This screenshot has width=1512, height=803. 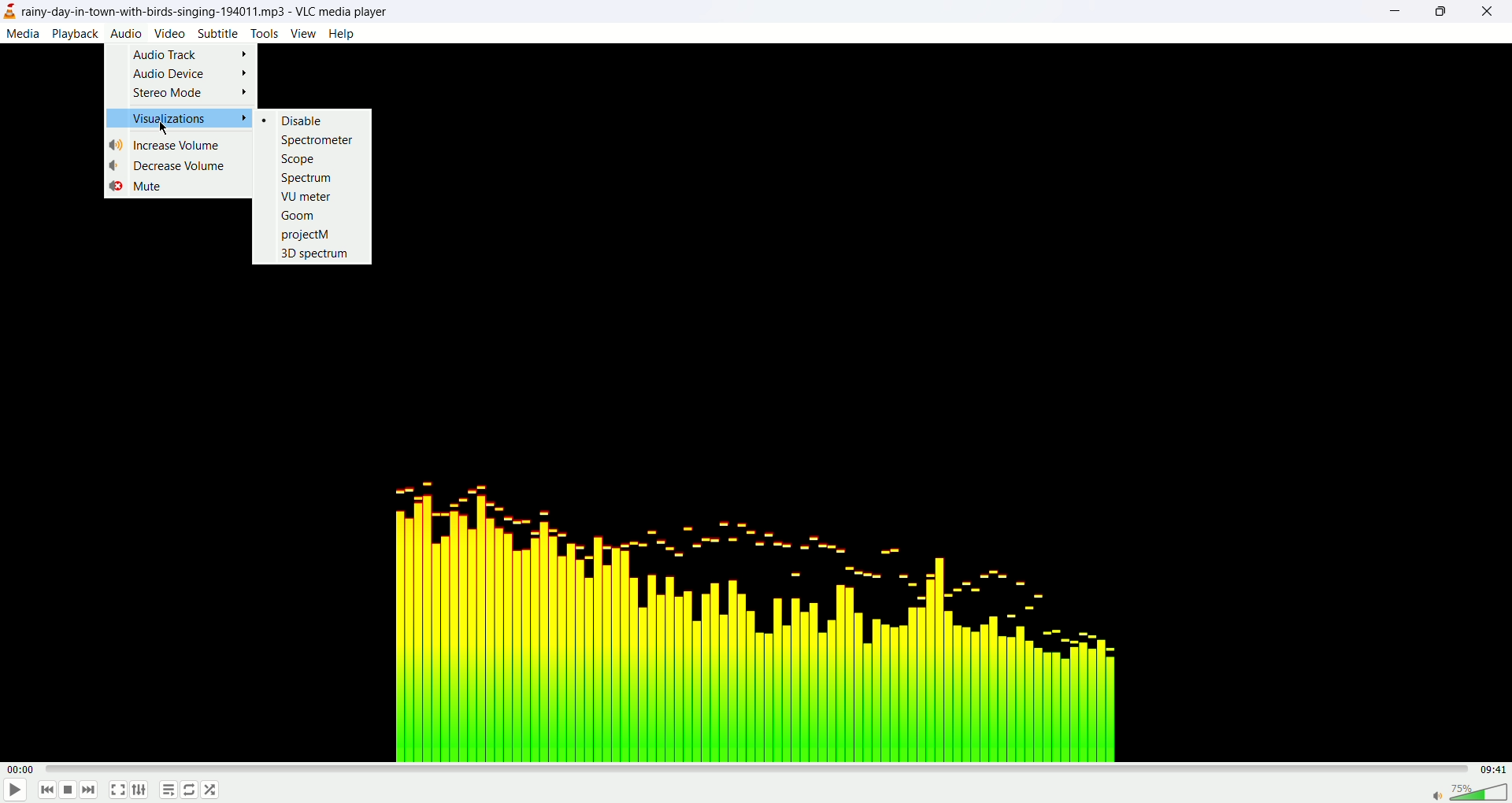 I want to click on media, so click(x=24, y=34).